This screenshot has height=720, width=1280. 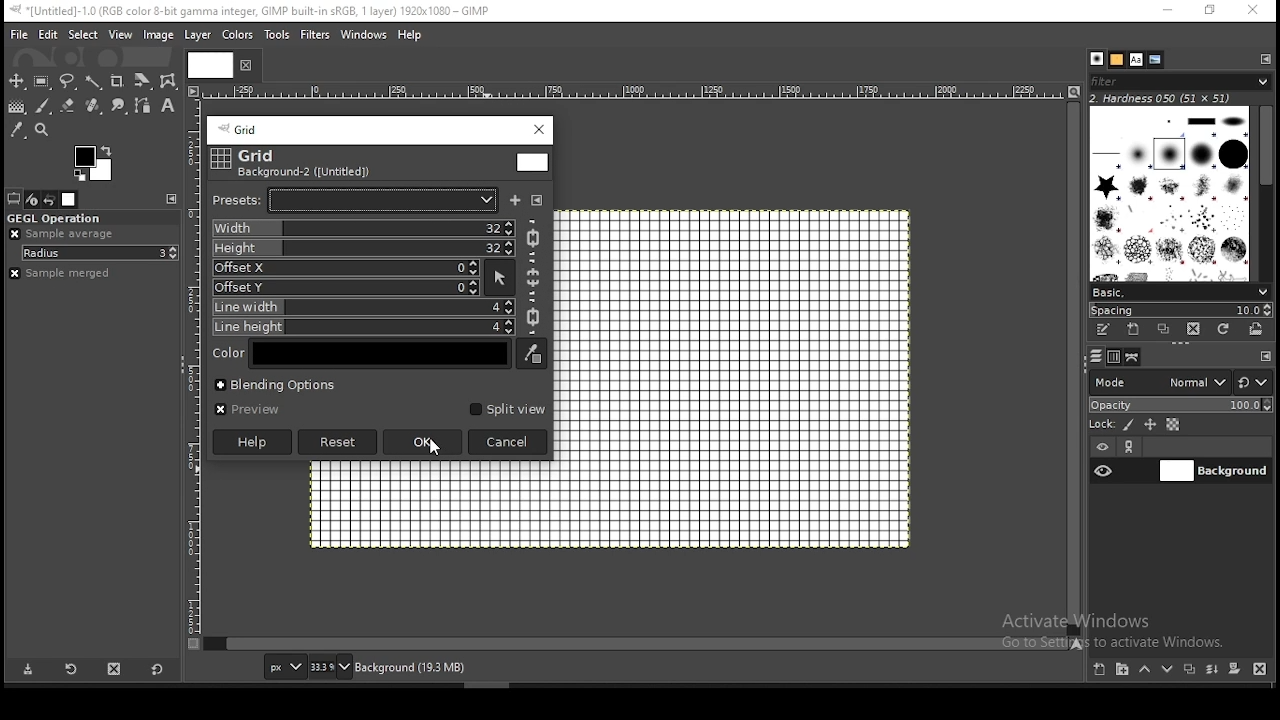 I want to click on refresh brushes, so click(x=1224, y=330).